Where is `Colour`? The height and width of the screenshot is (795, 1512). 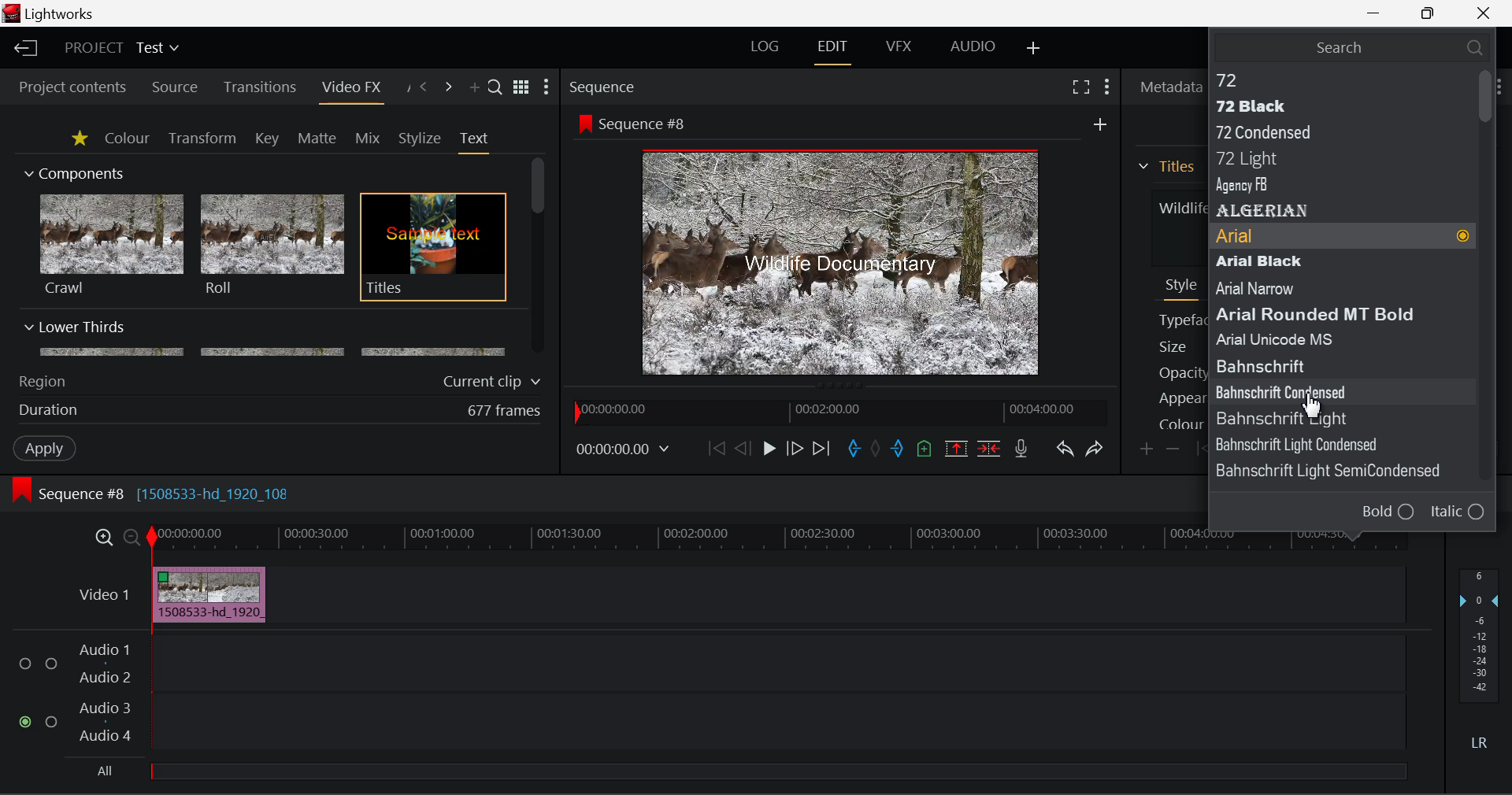 Colour is located at coordinates (127, 137).